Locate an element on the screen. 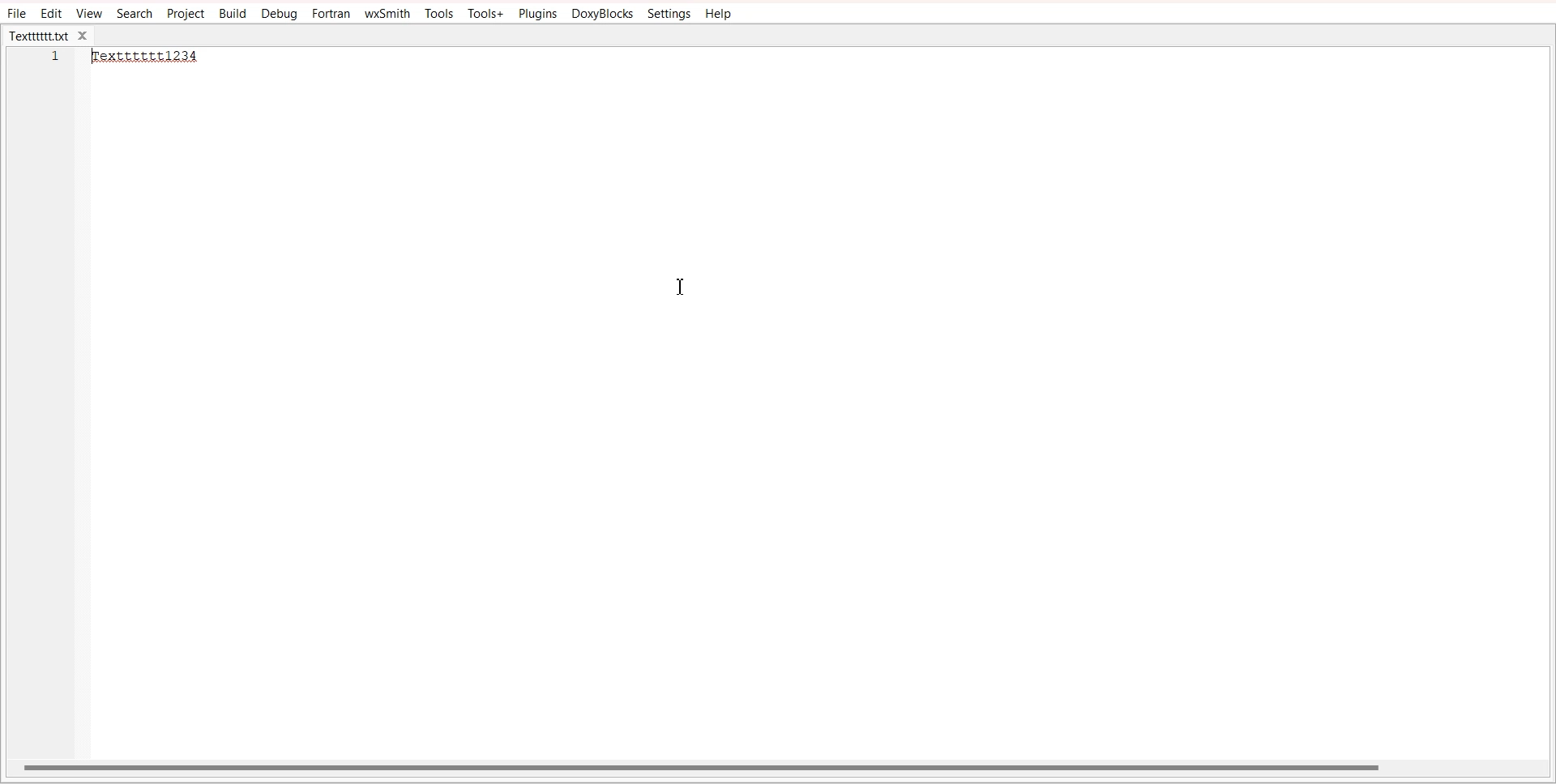 The width and height of the screenshot is (1556, 784). Search is located at coordinates (135, 13).